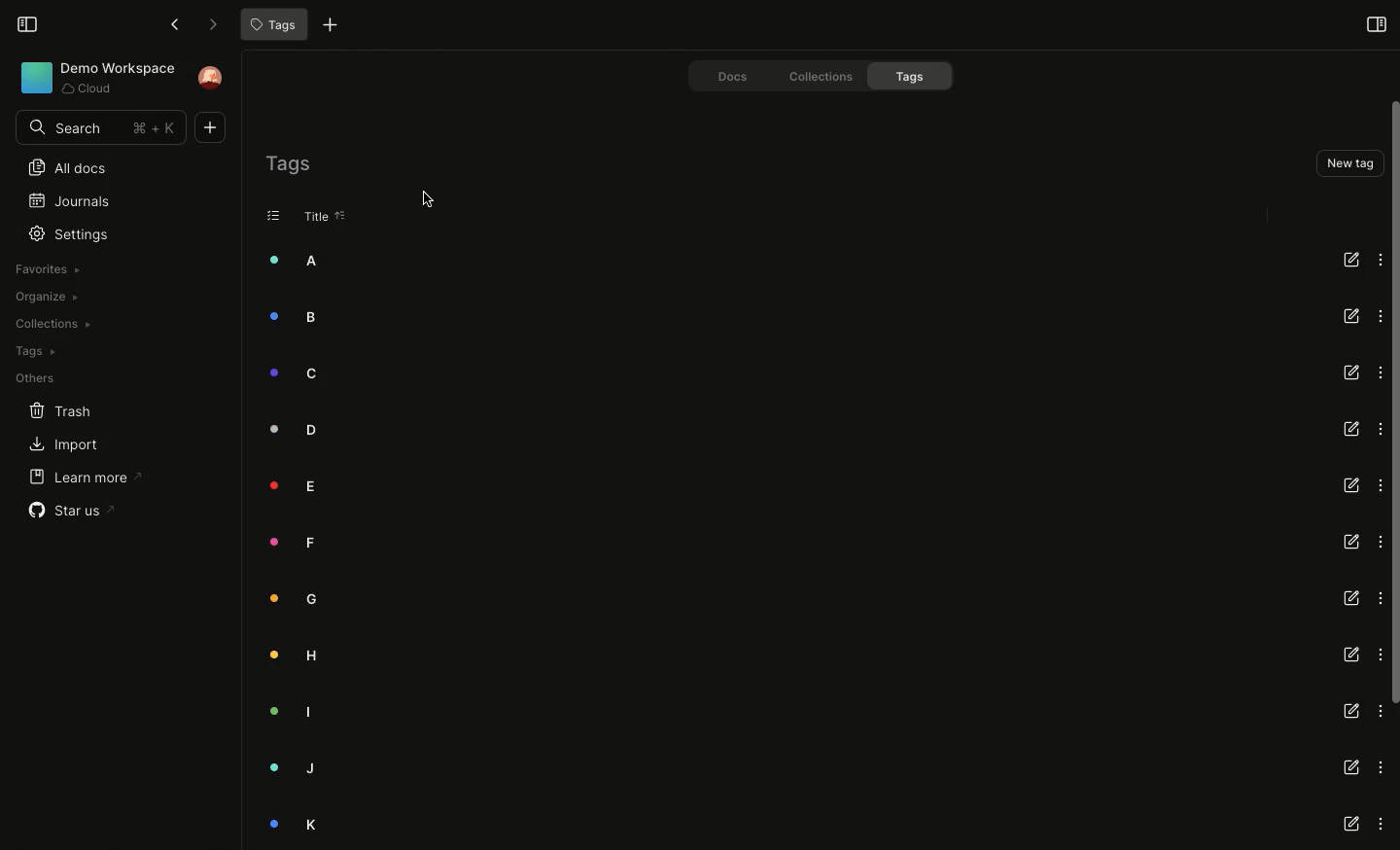 This screenshot has height=850, width=1400. Describe the element at coordinates (288, 163) in the screenshot. I see `Tags` at that location.